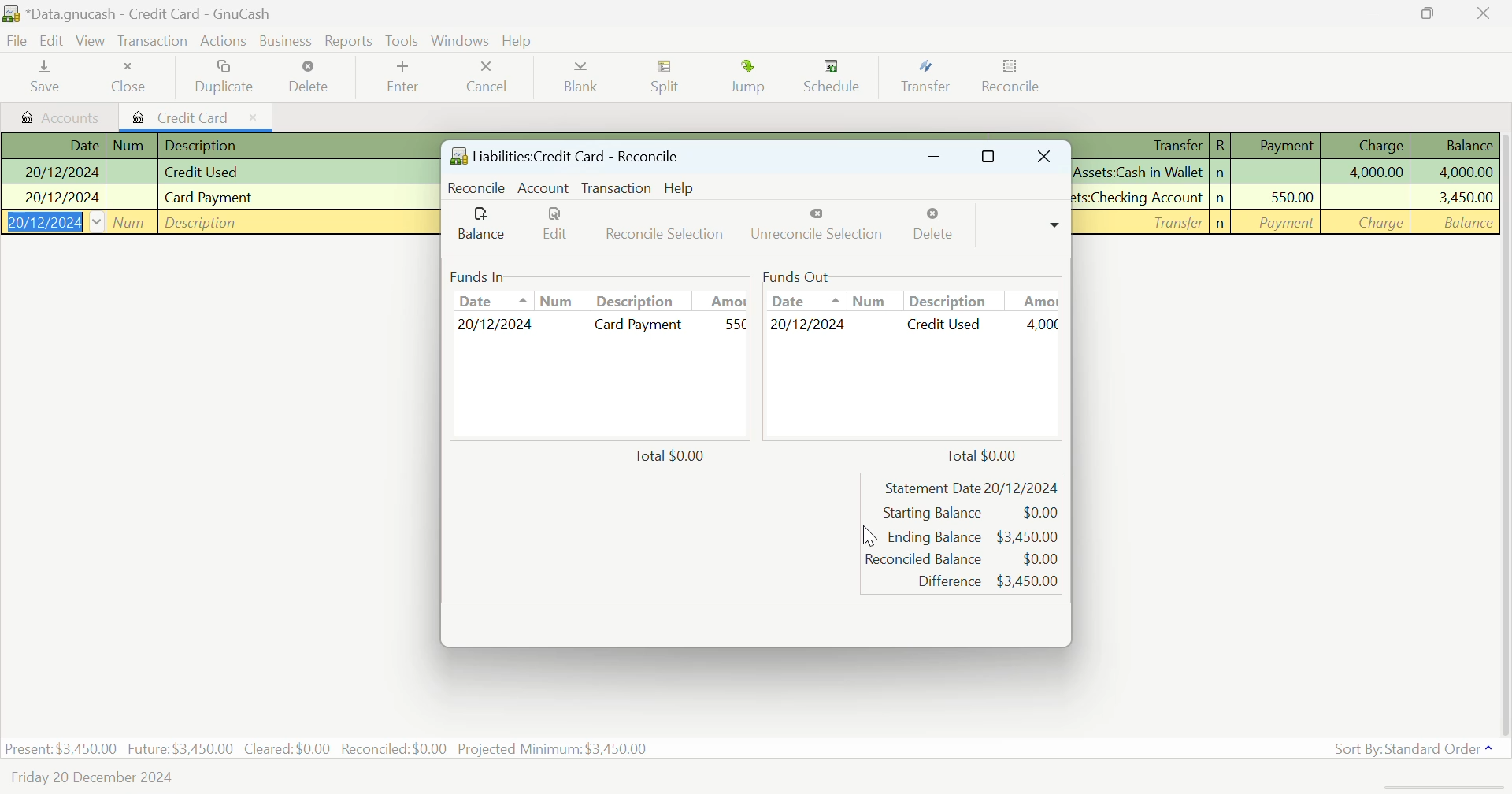 This screenshot has width=1512, height=794. I want to click on Present: $3,450.00 Future: $3,450.00 Cleared:$0.00 Reconciled:$0.00 Projected Minimum: $3,450.00, so click(328, 751).